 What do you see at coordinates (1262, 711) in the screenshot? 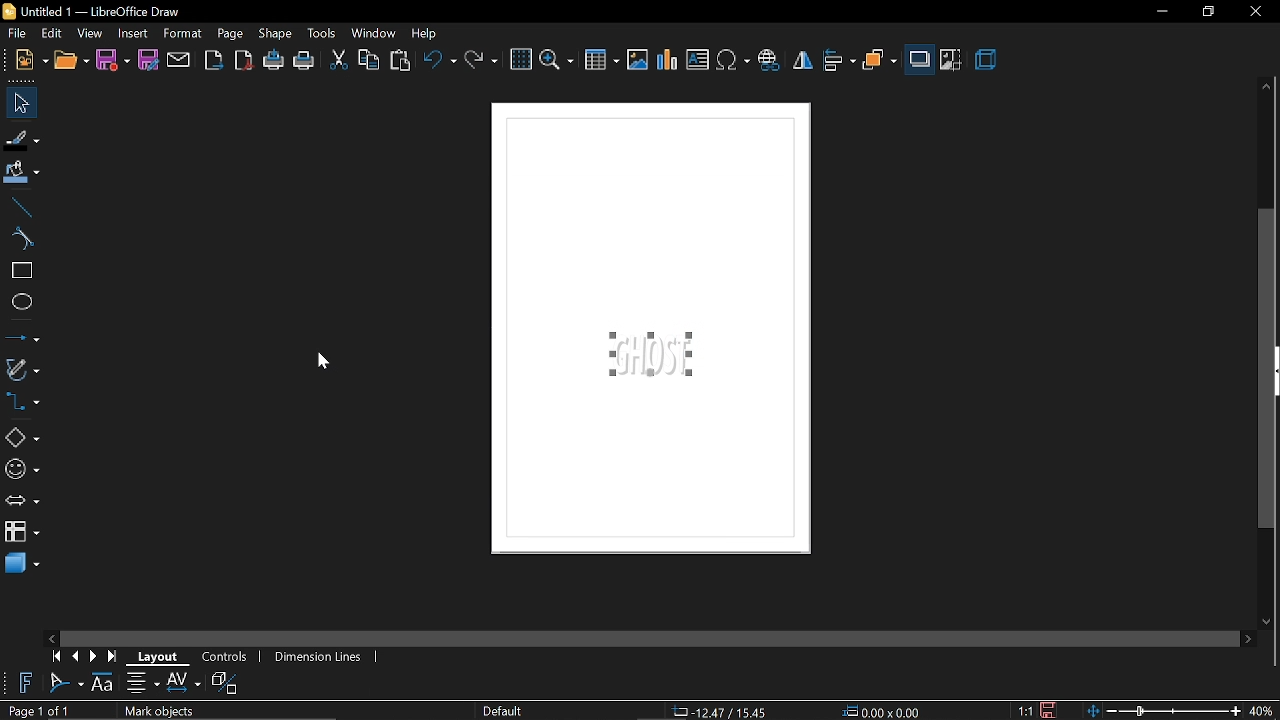
I see `40%` at bounding box center [1262, 711].